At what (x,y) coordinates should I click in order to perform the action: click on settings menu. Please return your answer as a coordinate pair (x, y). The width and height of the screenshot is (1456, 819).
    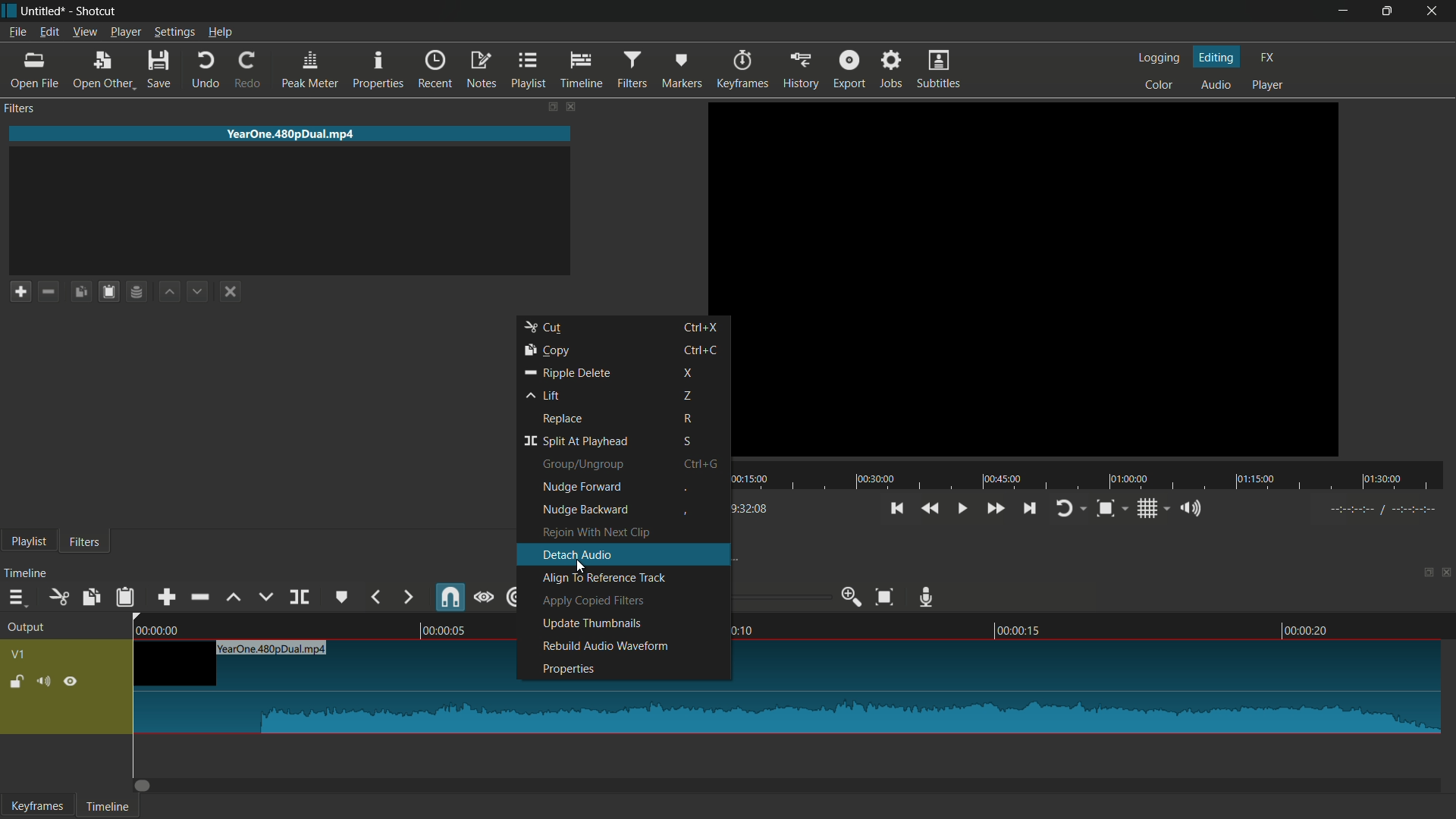
    Looking at the image, I should click on (174, 32).